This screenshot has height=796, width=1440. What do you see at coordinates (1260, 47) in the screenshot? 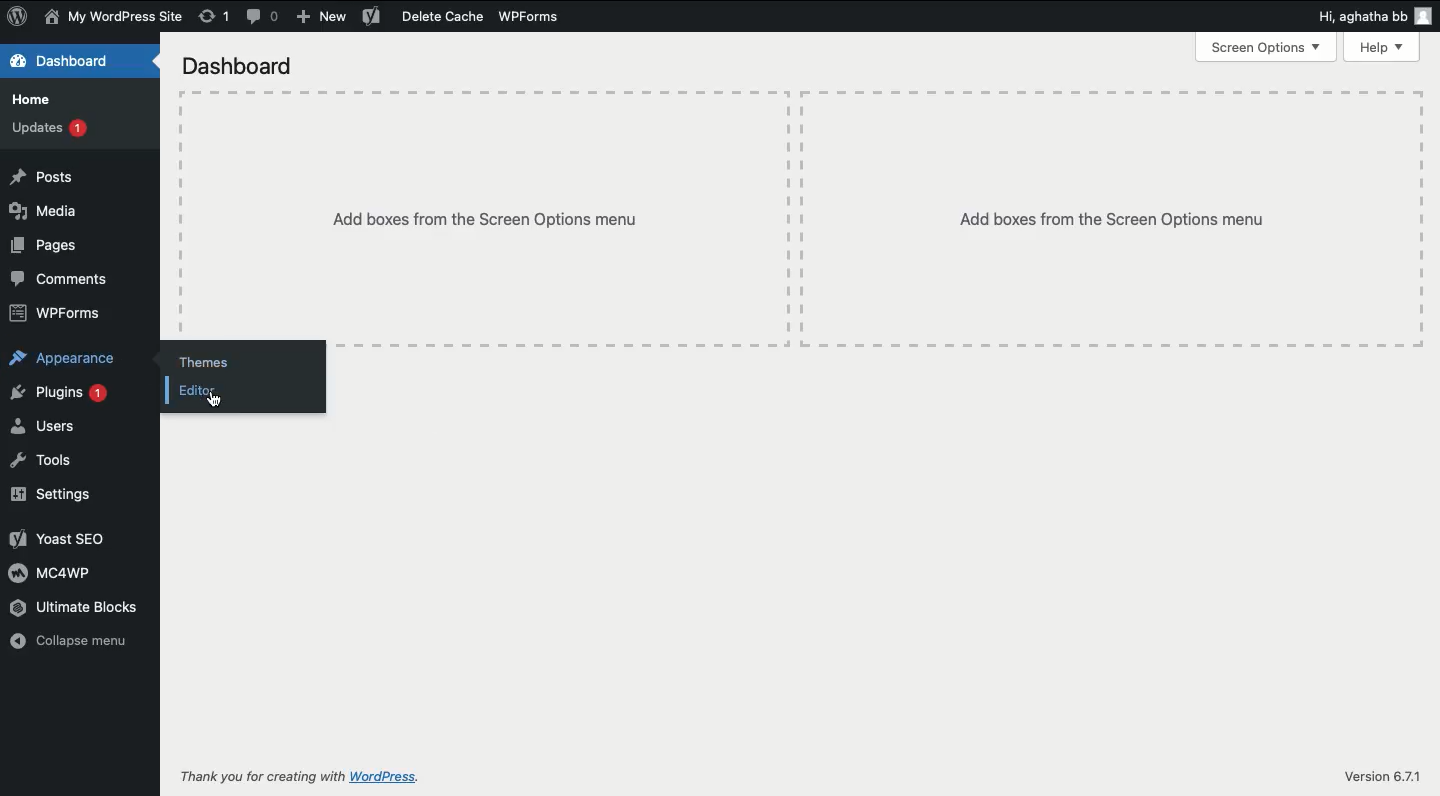
I see `Screen Options ` at bounding box center [1260, 47].